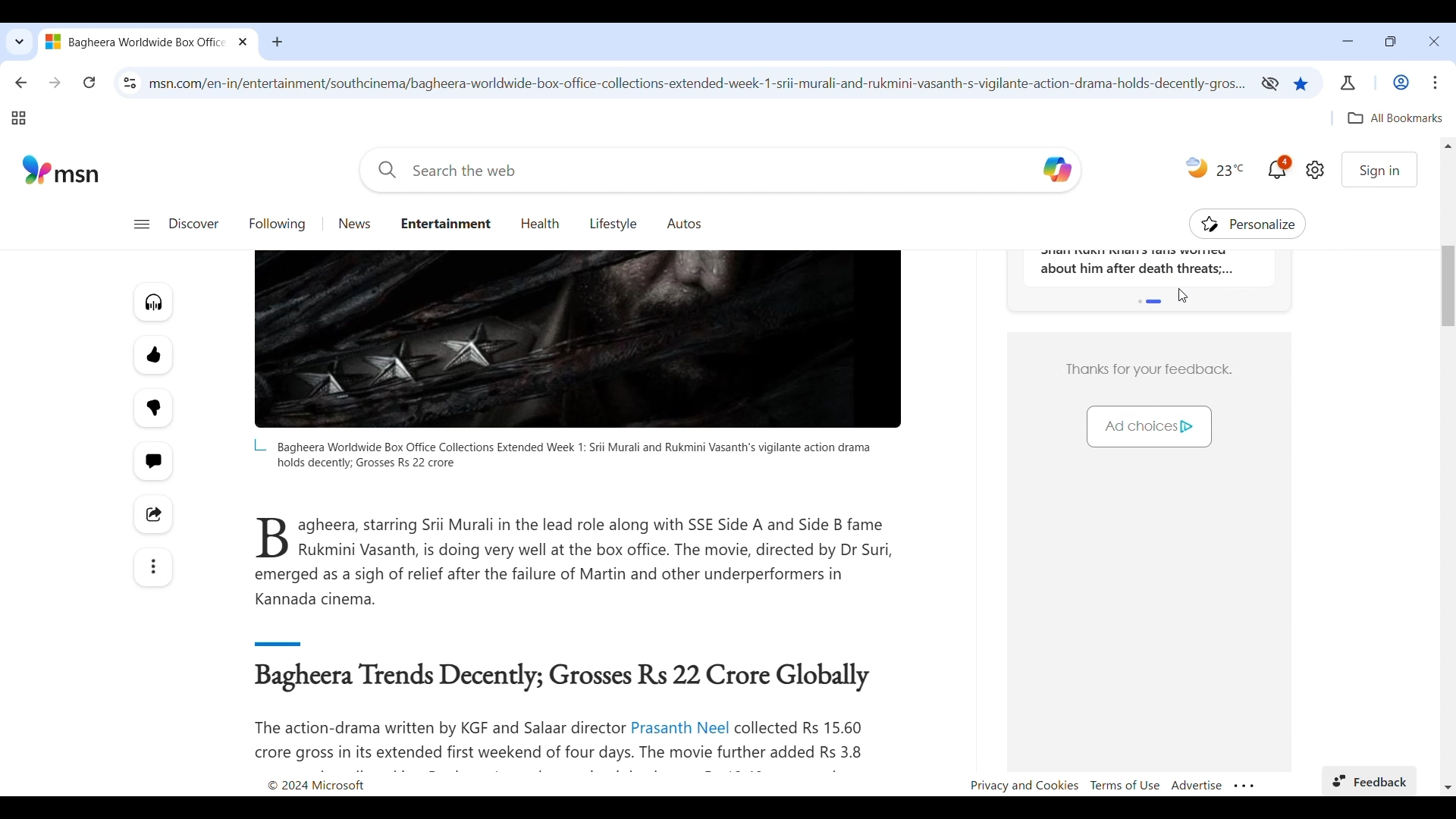 The image size is (1456, 819). What do you see at coordinates (1372, 778) in the screenshot?
I see `Feedback` at bounding box center [1372, 778].